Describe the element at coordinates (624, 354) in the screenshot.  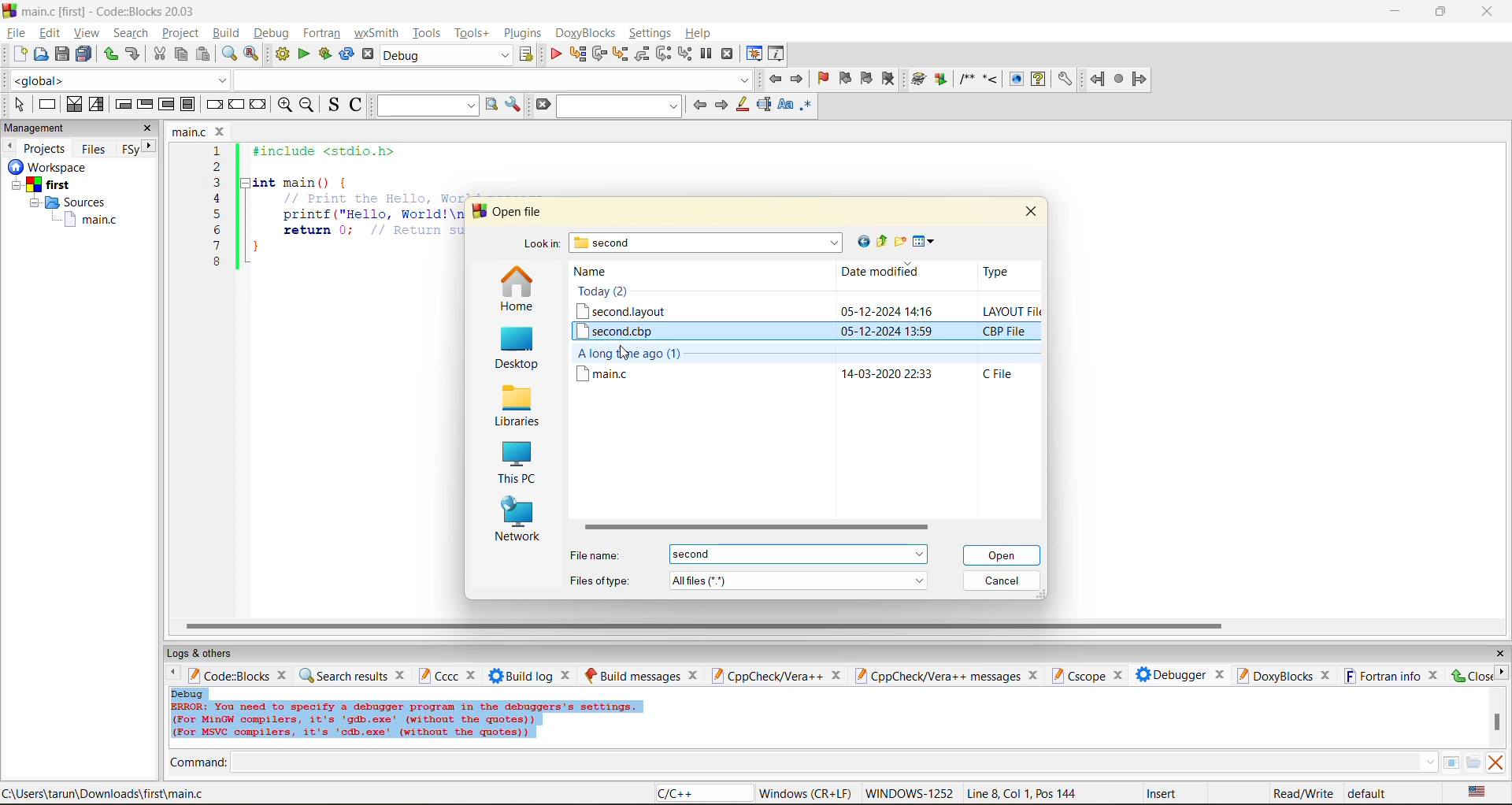
I see `cursor` at that location.